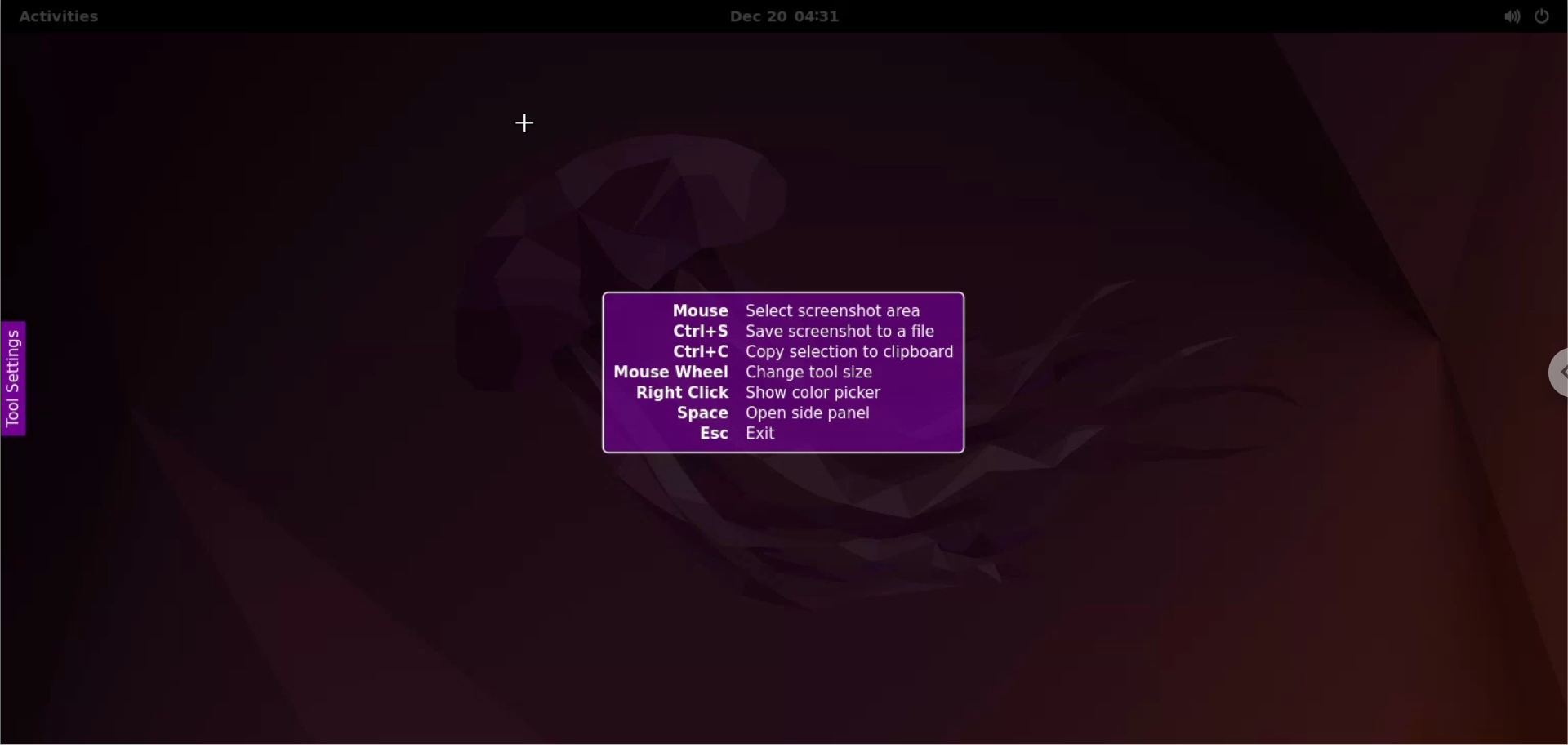 Image resolution: width=1568 pixels, height=745 pixels. Describe the element at coordinates (16, 386) in the screenshot. I see `tool settings` at that location.